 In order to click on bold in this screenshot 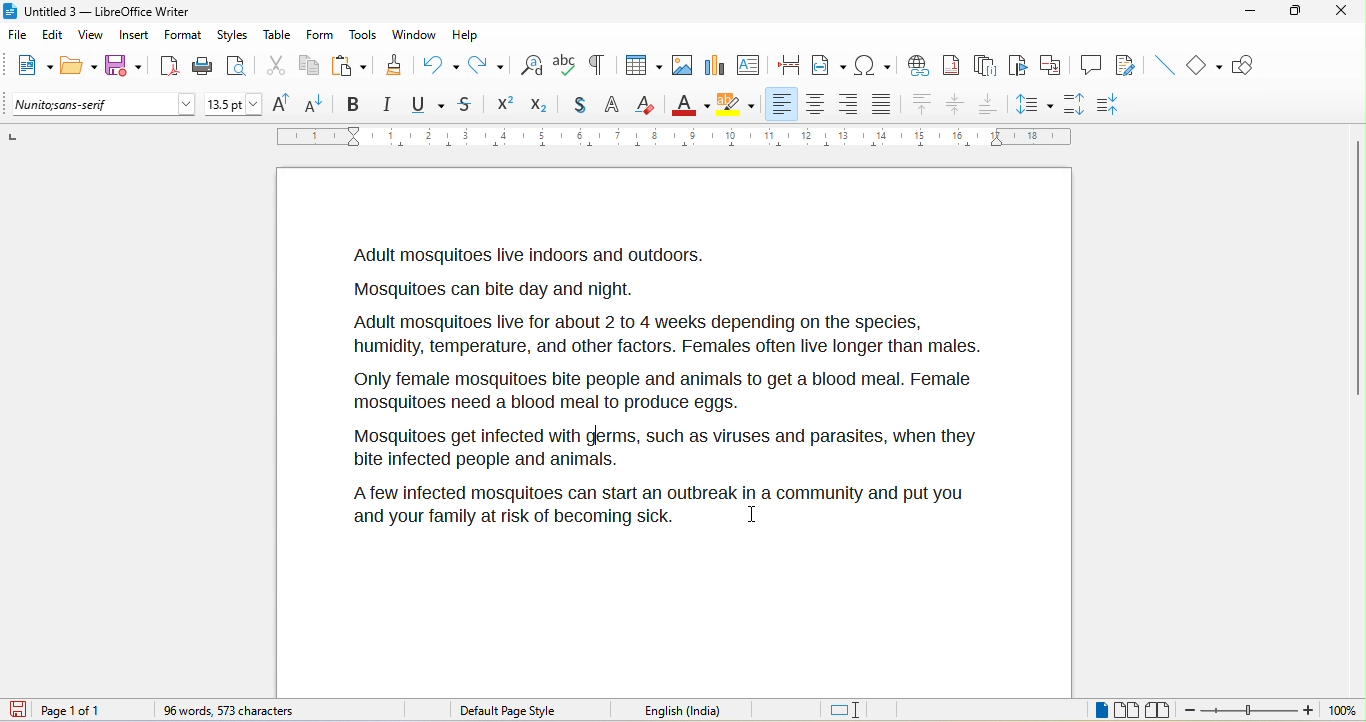, I will do `click(355, 103)`.